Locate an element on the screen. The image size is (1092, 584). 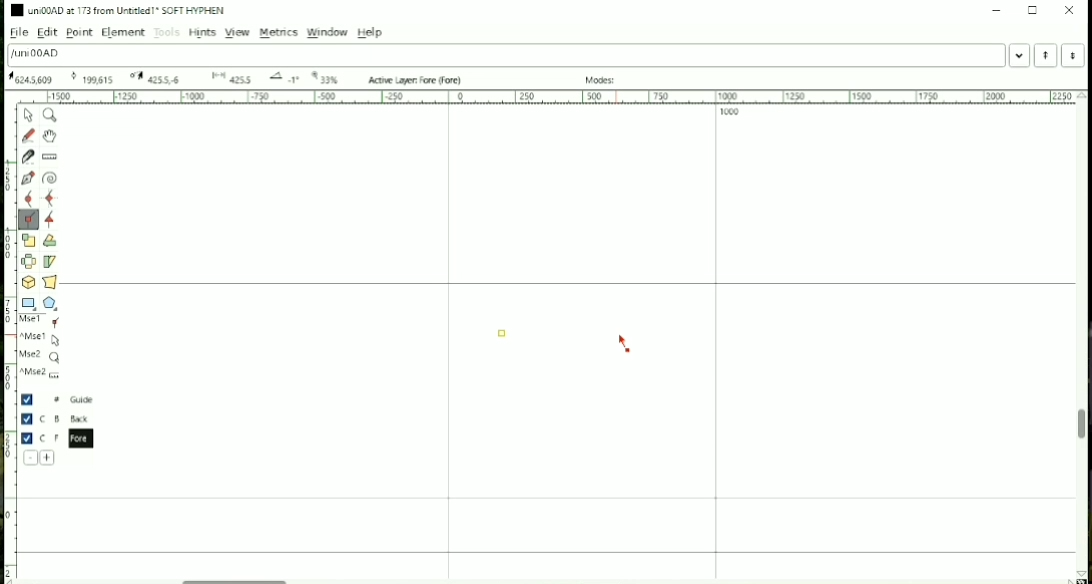
Rectangle or Ellipse is located at coordinates (29, 304).